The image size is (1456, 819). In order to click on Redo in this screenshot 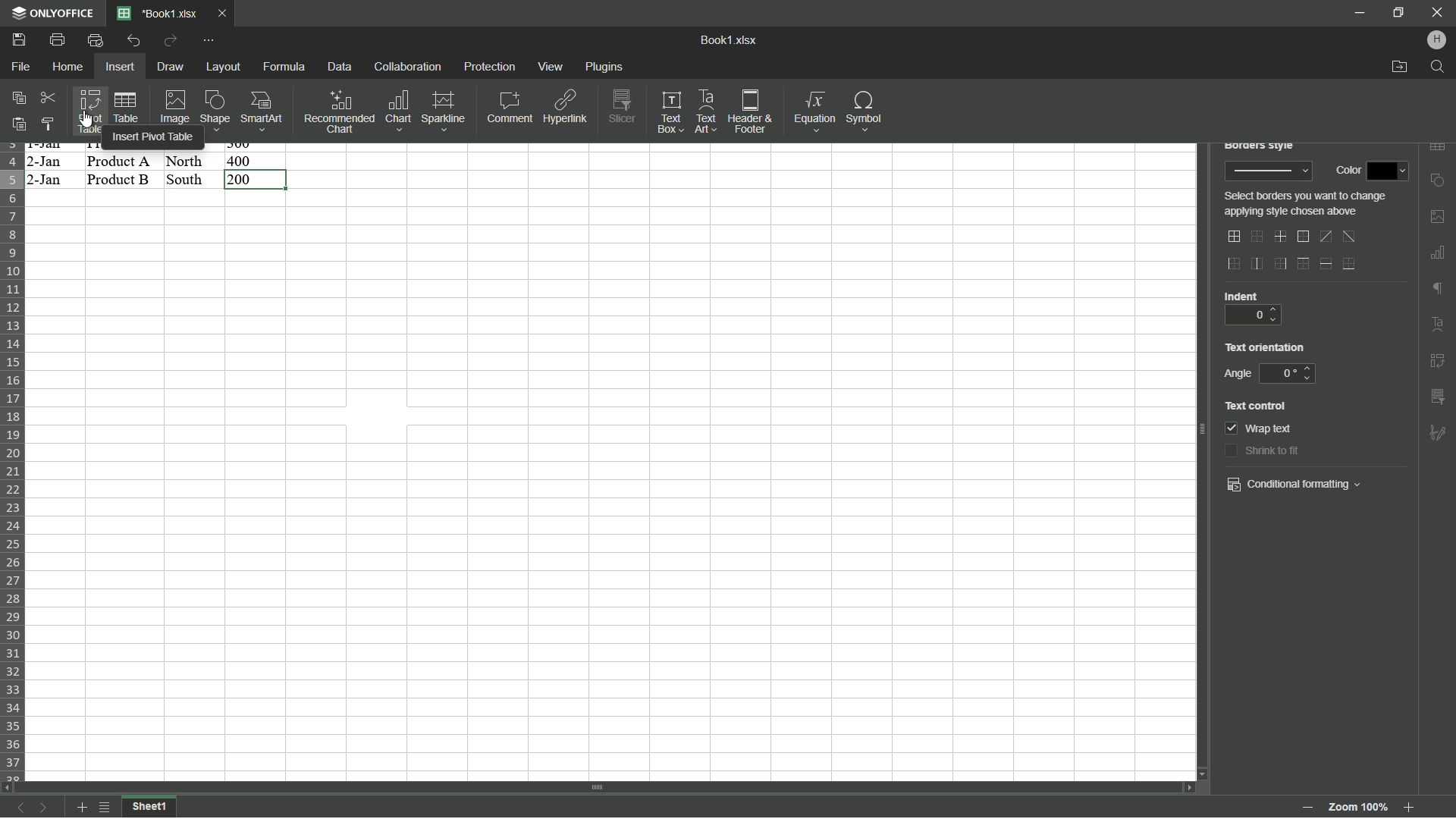, I will do `click(171, 39)`.